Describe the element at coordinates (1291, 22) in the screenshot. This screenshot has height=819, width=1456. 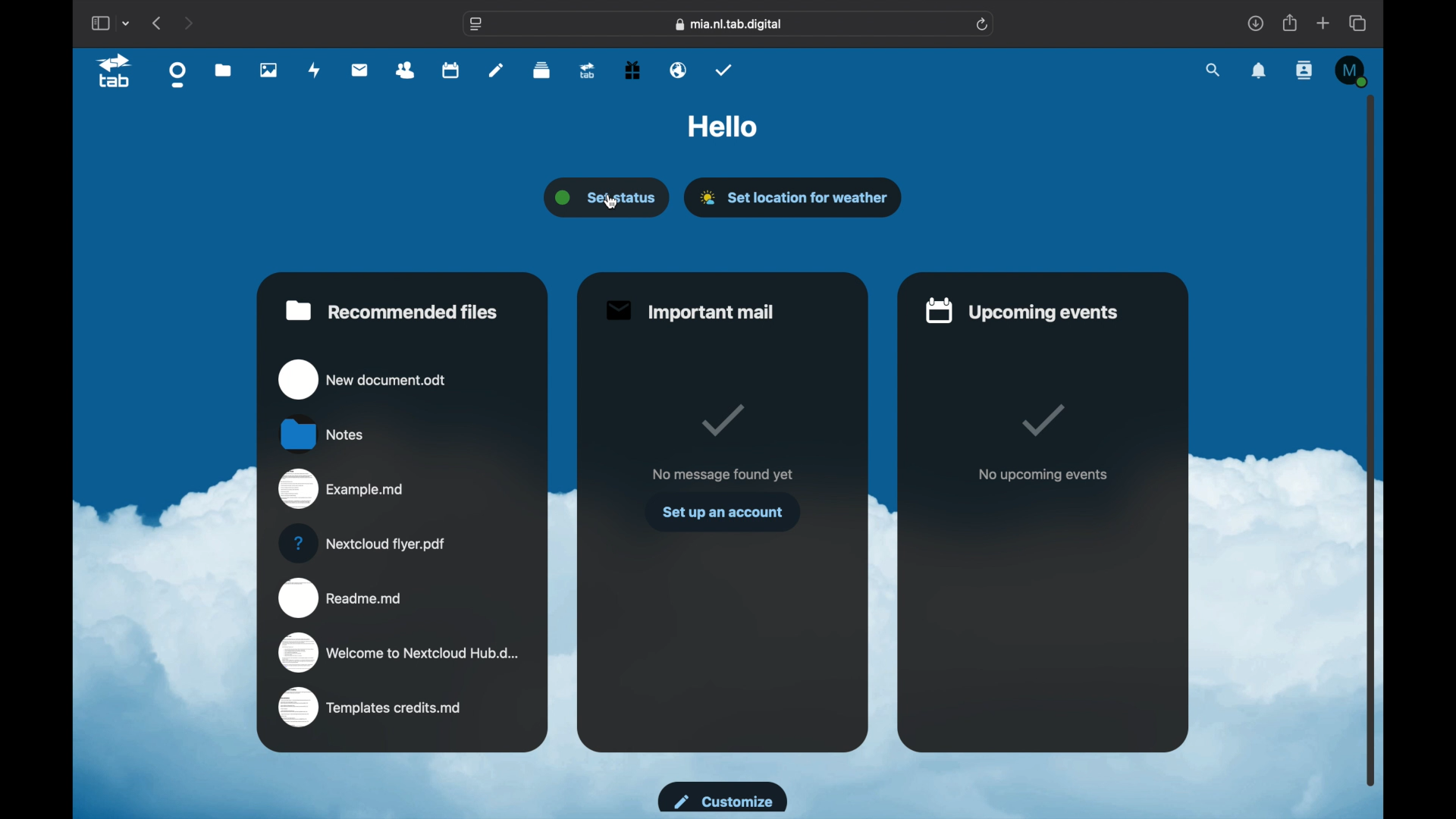
I see `share` at that location.